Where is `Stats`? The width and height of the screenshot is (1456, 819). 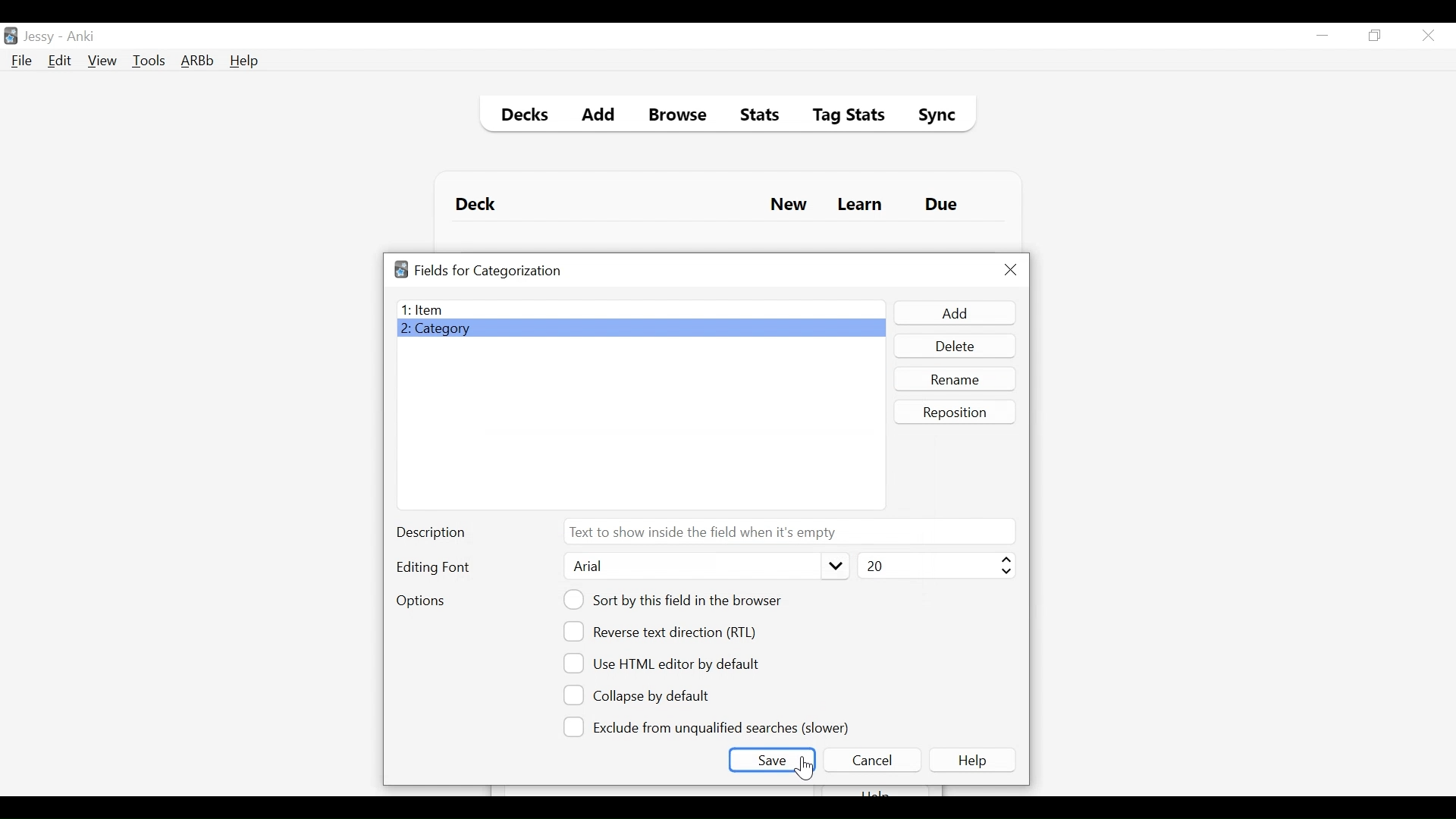 Stats is located at coordinates (755, 115).